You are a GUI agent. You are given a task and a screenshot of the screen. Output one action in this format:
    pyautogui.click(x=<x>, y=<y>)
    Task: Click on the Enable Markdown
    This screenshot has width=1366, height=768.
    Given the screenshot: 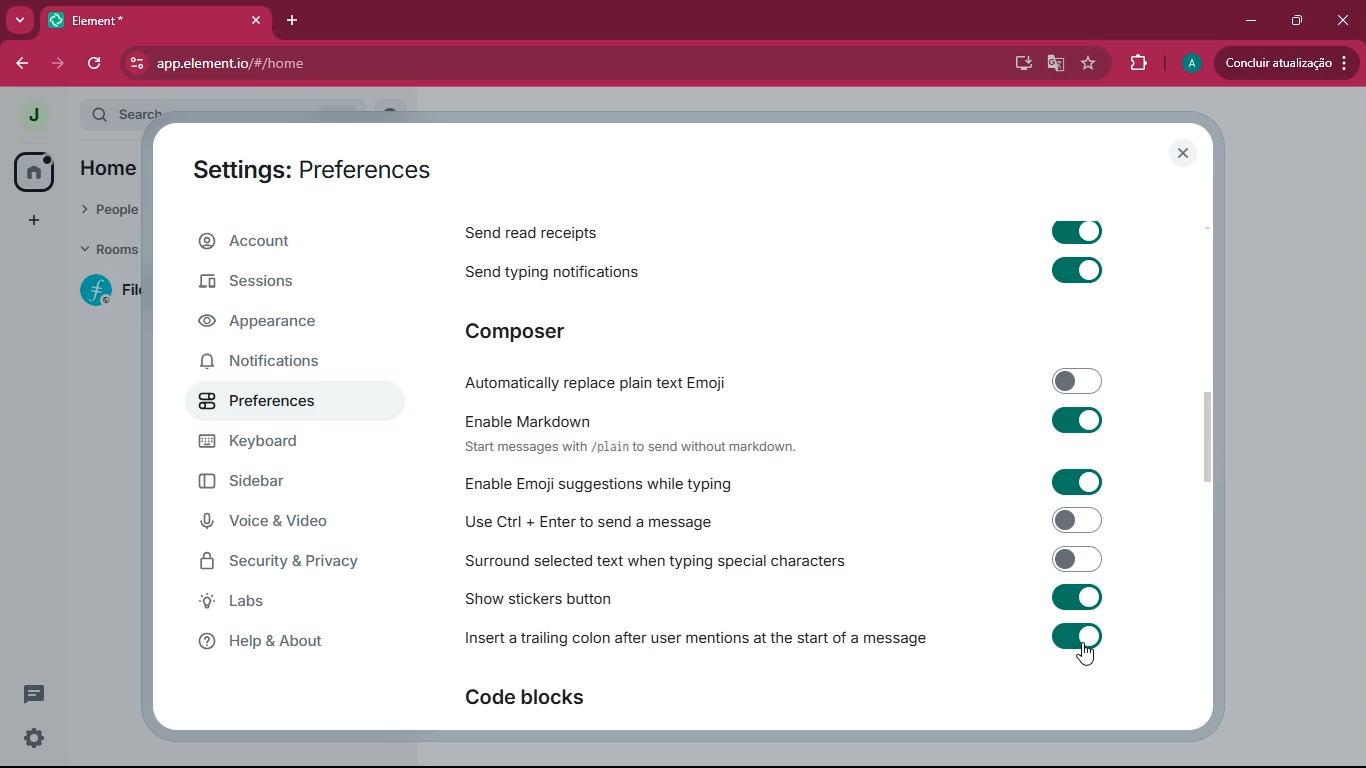 What is the action you would take?
    pyautogui.click(x=775, y=419)
    